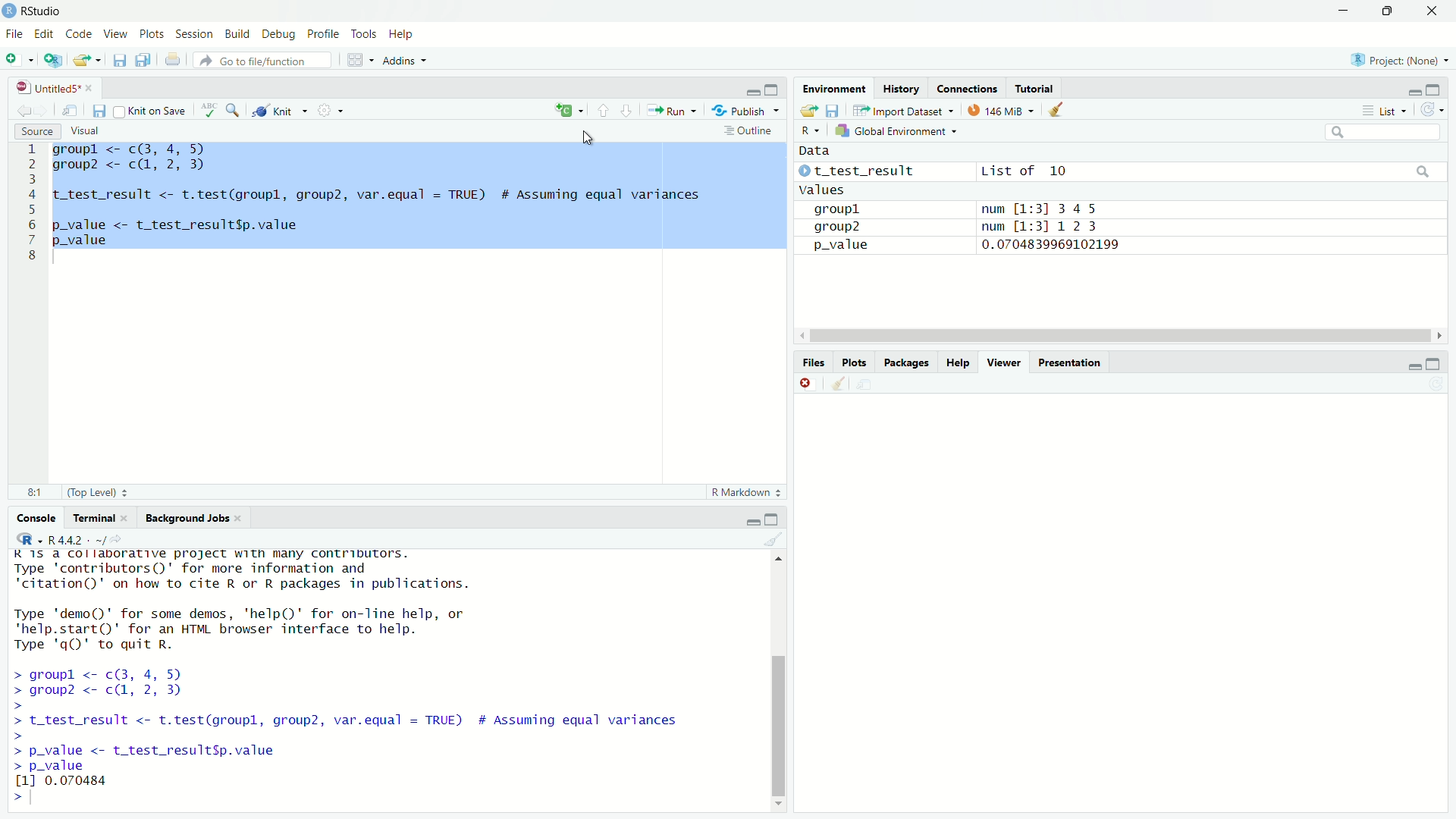  I want to click on Import dataset, so click(903, 109).